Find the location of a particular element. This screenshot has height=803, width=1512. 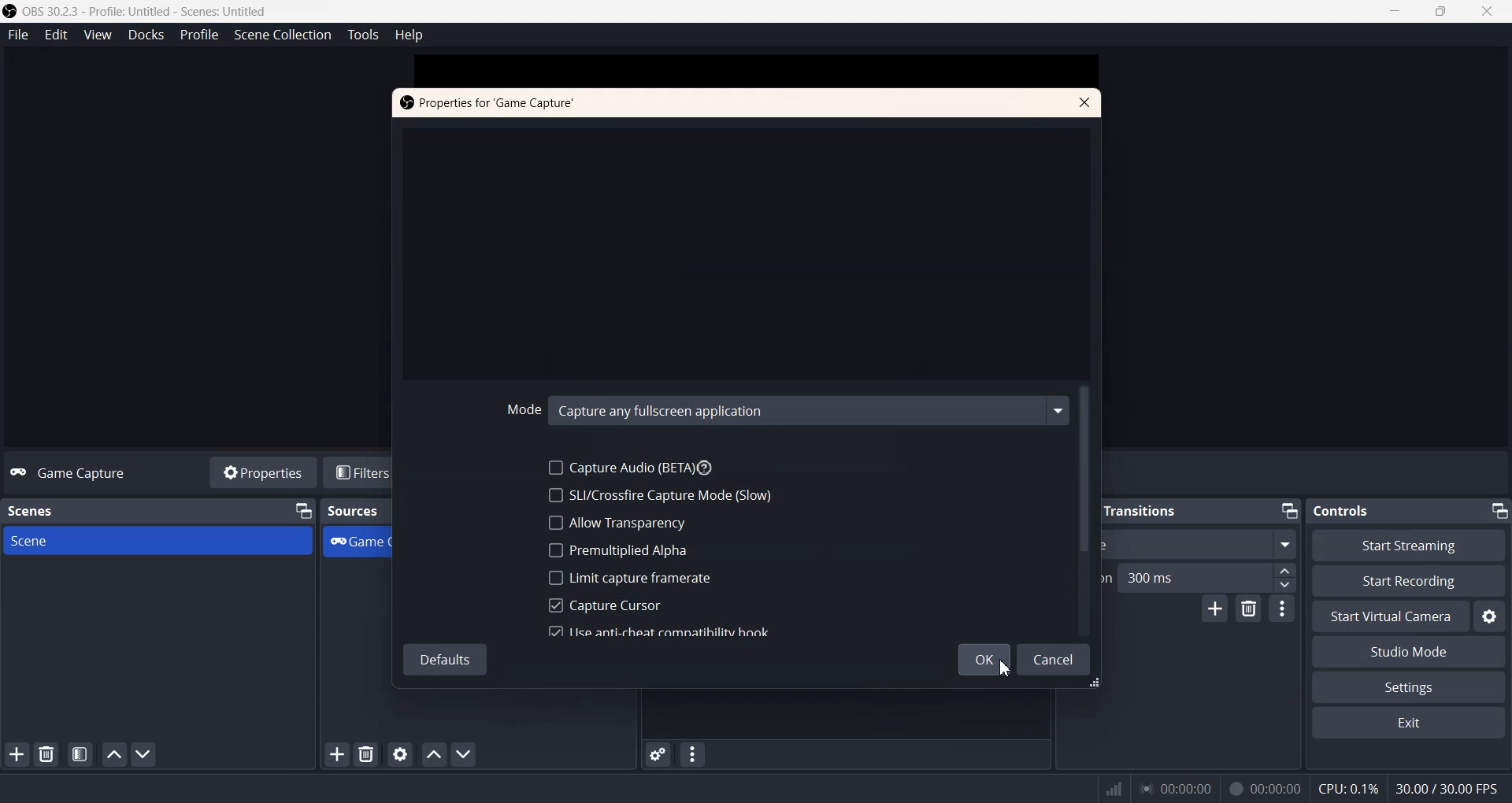

Text is located at coordinates (35, 512).